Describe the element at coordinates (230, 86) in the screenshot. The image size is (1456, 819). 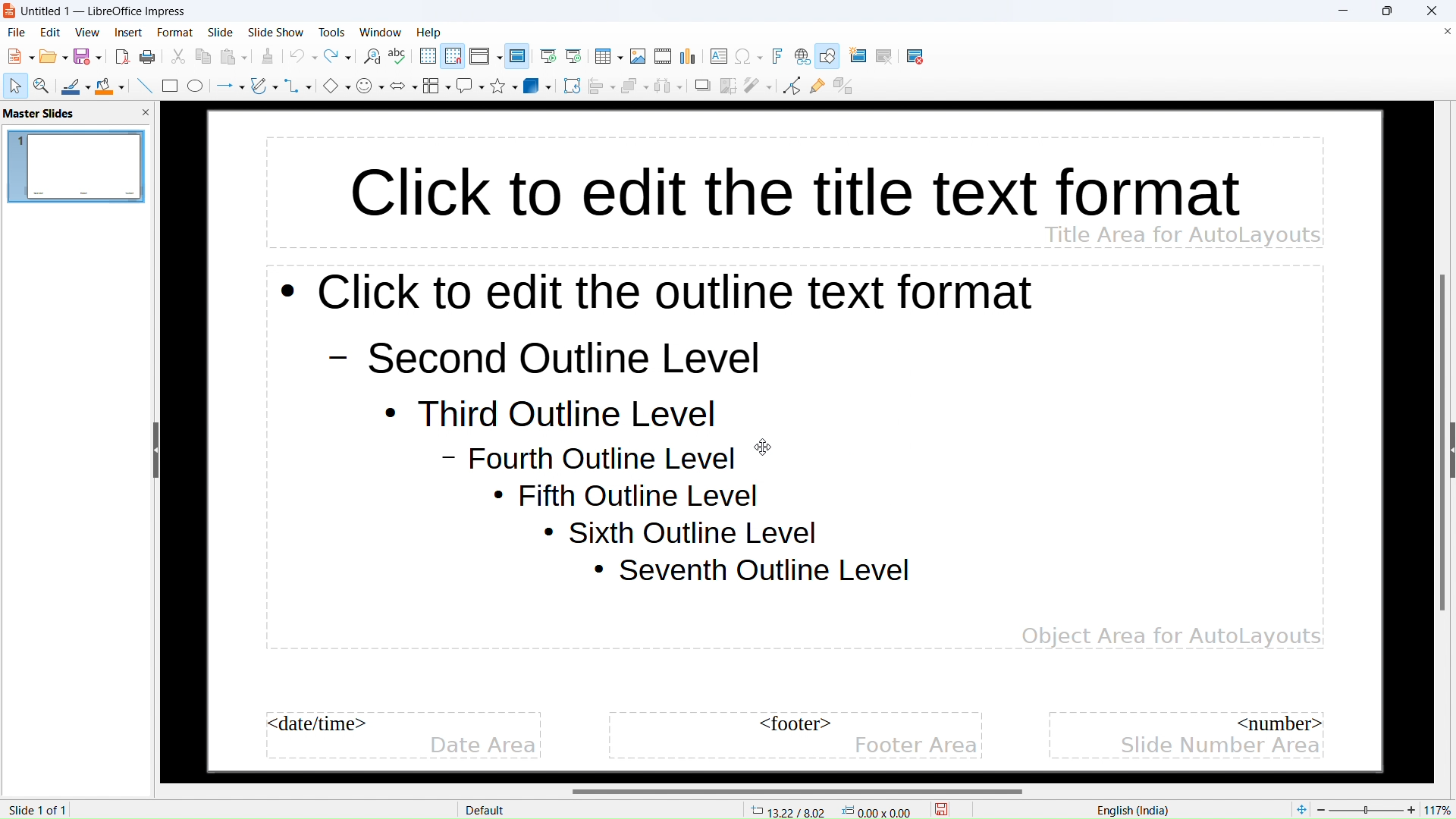
I see `lines and arrows` at that location.